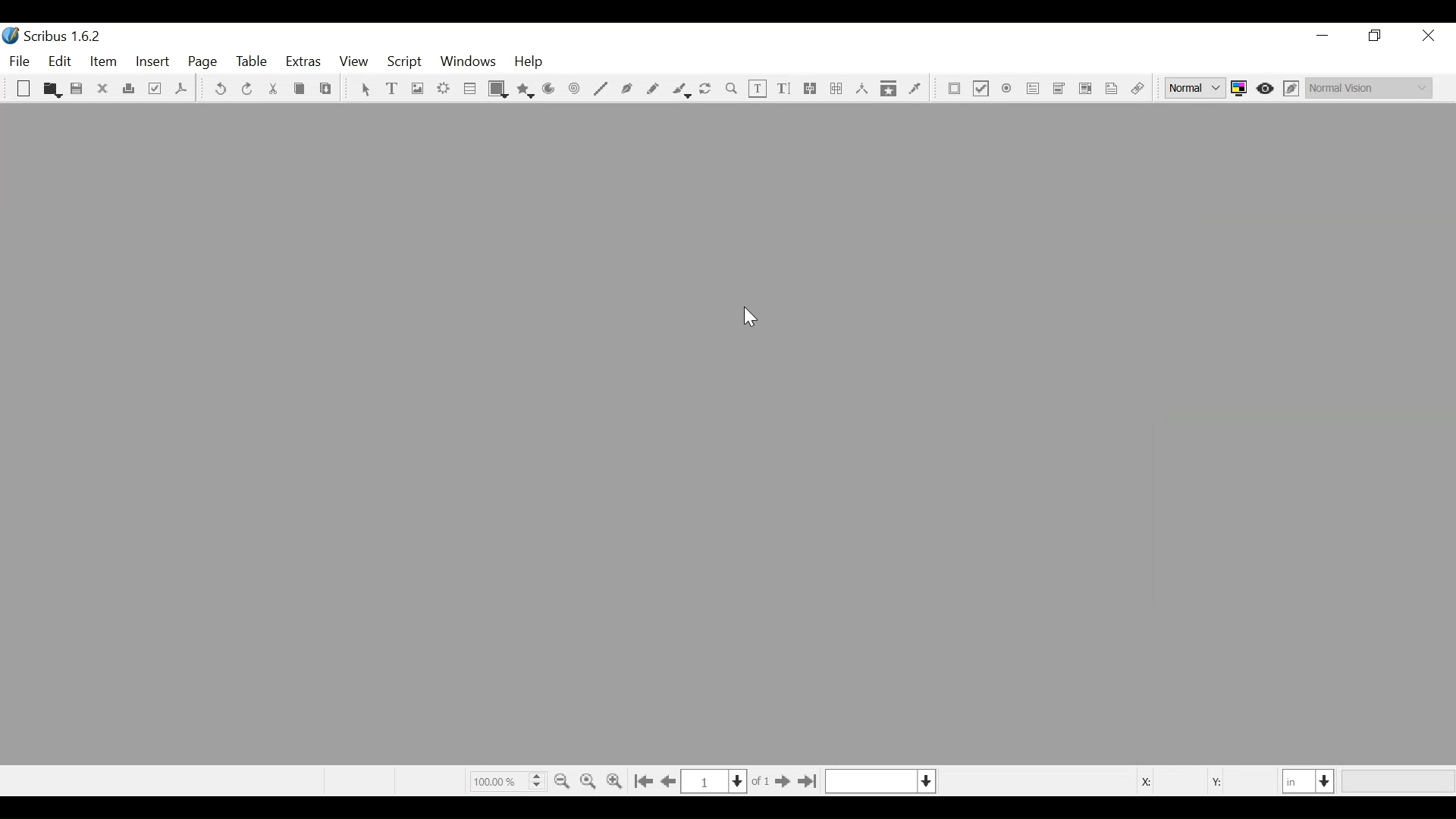 This screenshot has width=1456, height=819. Describe the element at coordinates (1368, 86) in the screenshot. I see `Select the visual appearance of the display` at that location.